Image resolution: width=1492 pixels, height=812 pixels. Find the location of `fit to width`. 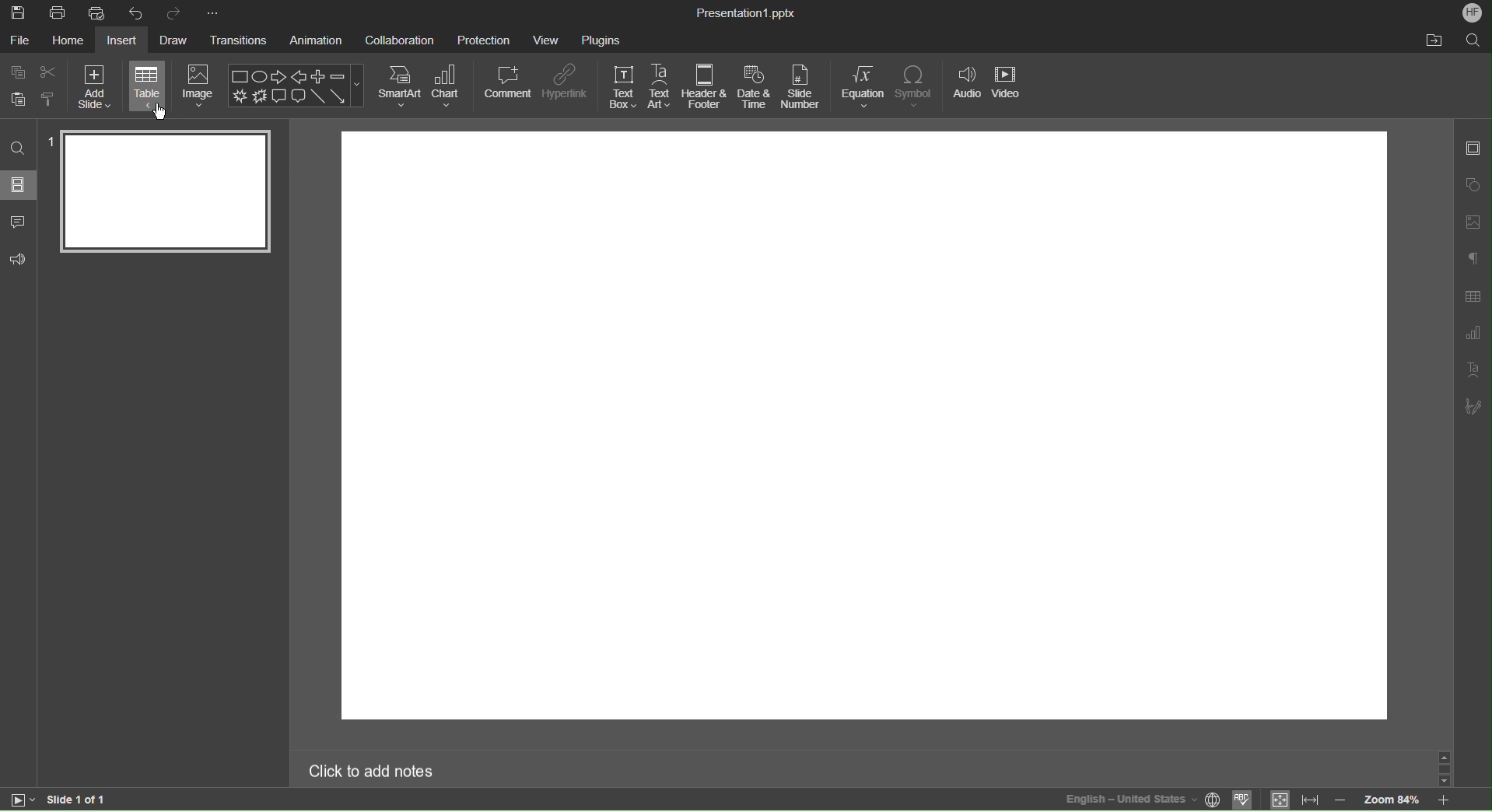

fit to width is located at coordinates (1311, 799).